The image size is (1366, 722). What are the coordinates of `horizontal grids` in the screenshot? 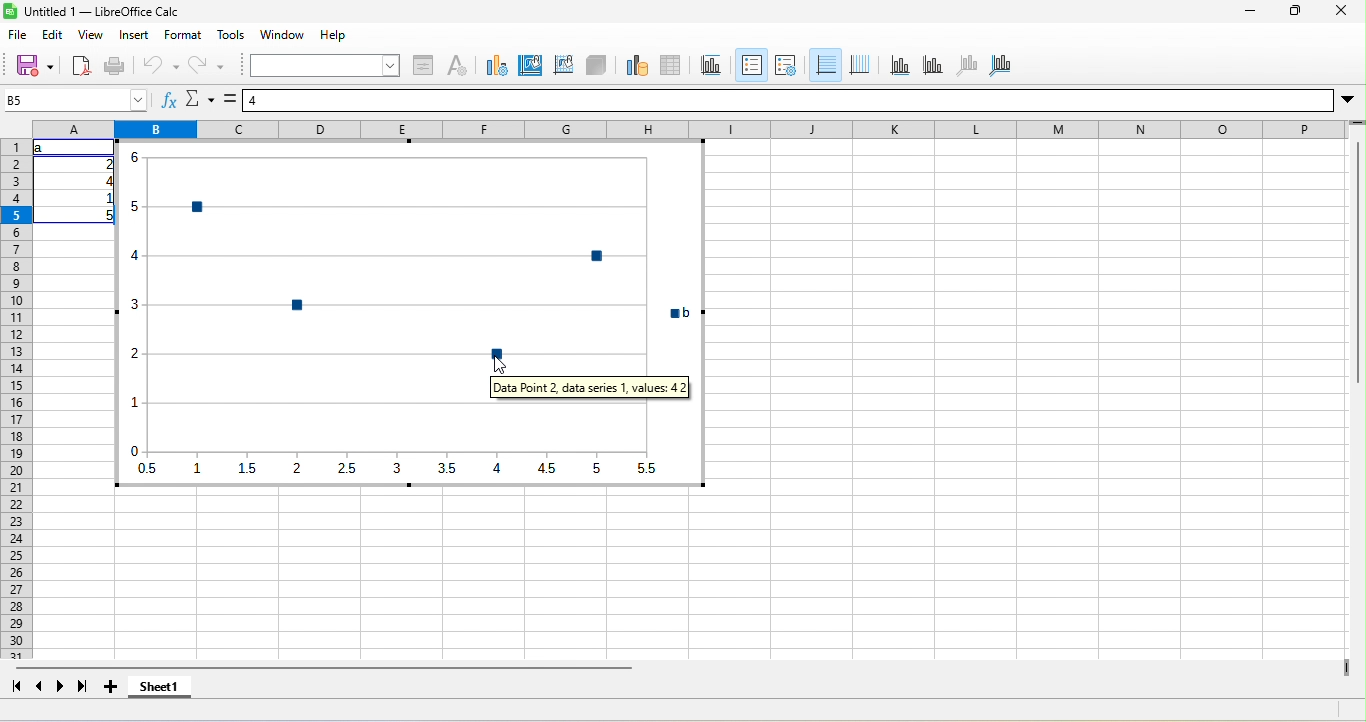 It's located at (826, 66).